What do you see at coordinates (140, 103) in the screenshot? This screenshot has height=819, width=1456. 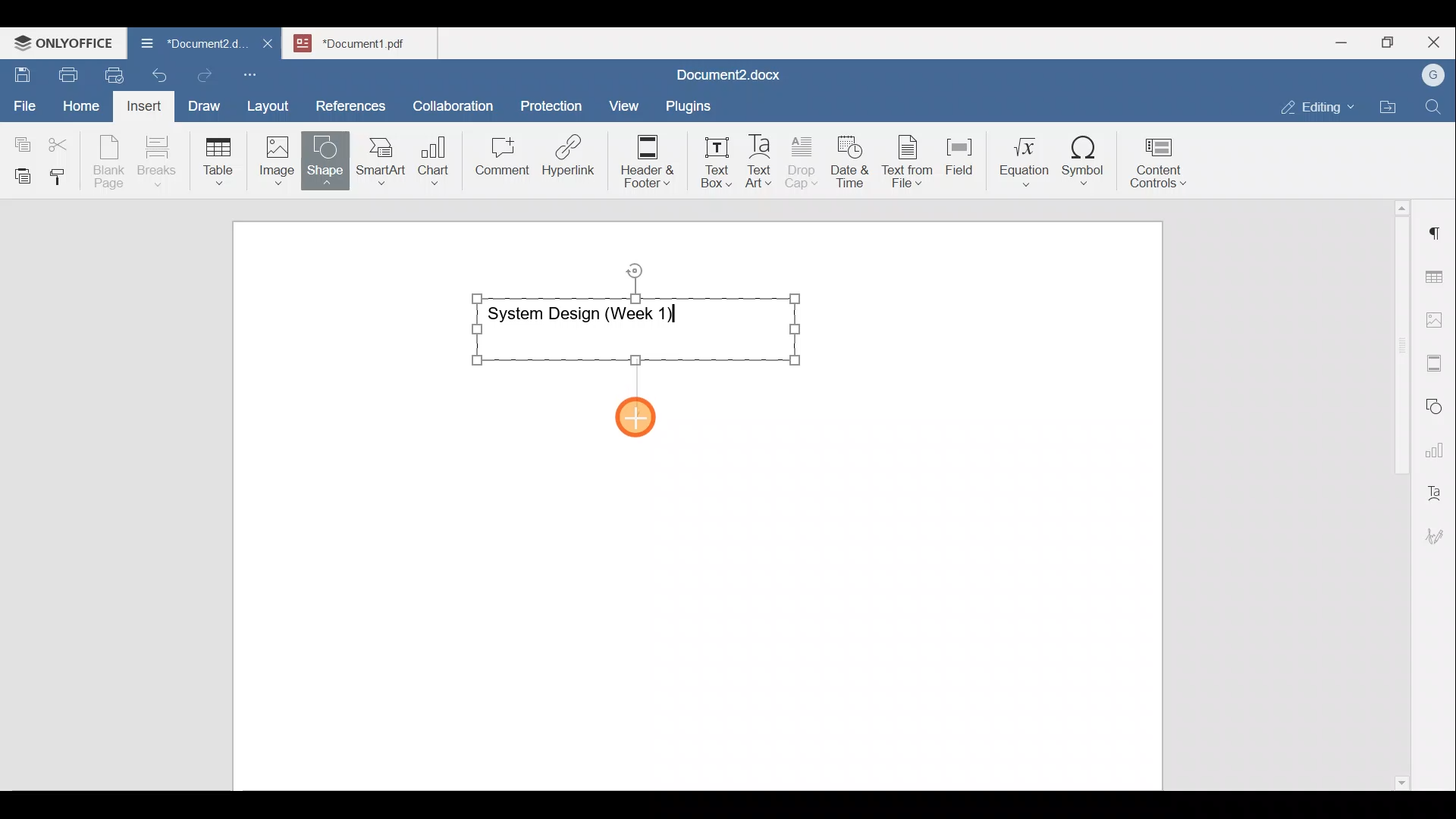 I see `Insert` at bounding box center [140, 103].